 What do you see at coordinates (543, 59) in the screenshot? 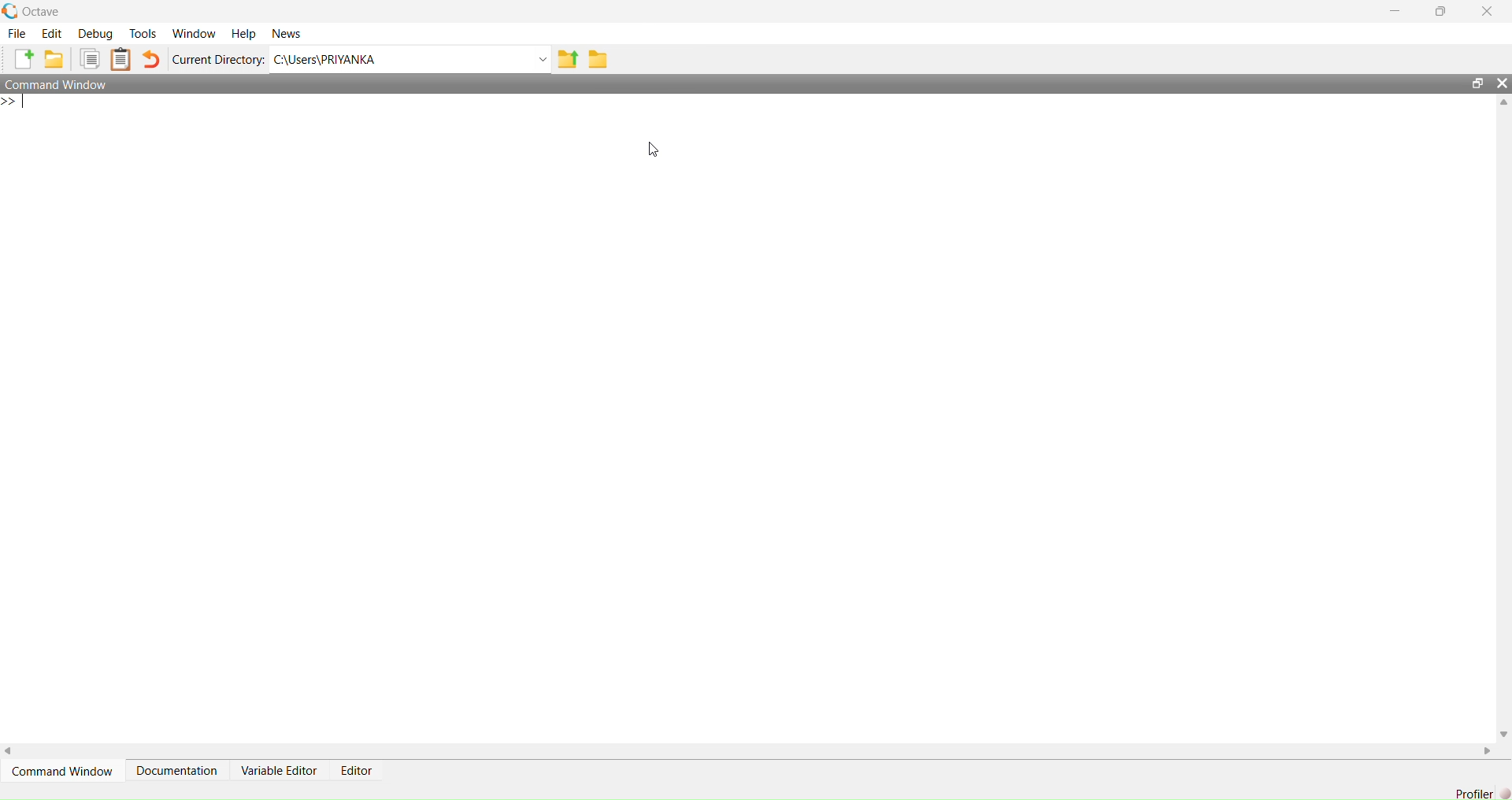
I see `Enter directory name` at bounding box center [543, 59].